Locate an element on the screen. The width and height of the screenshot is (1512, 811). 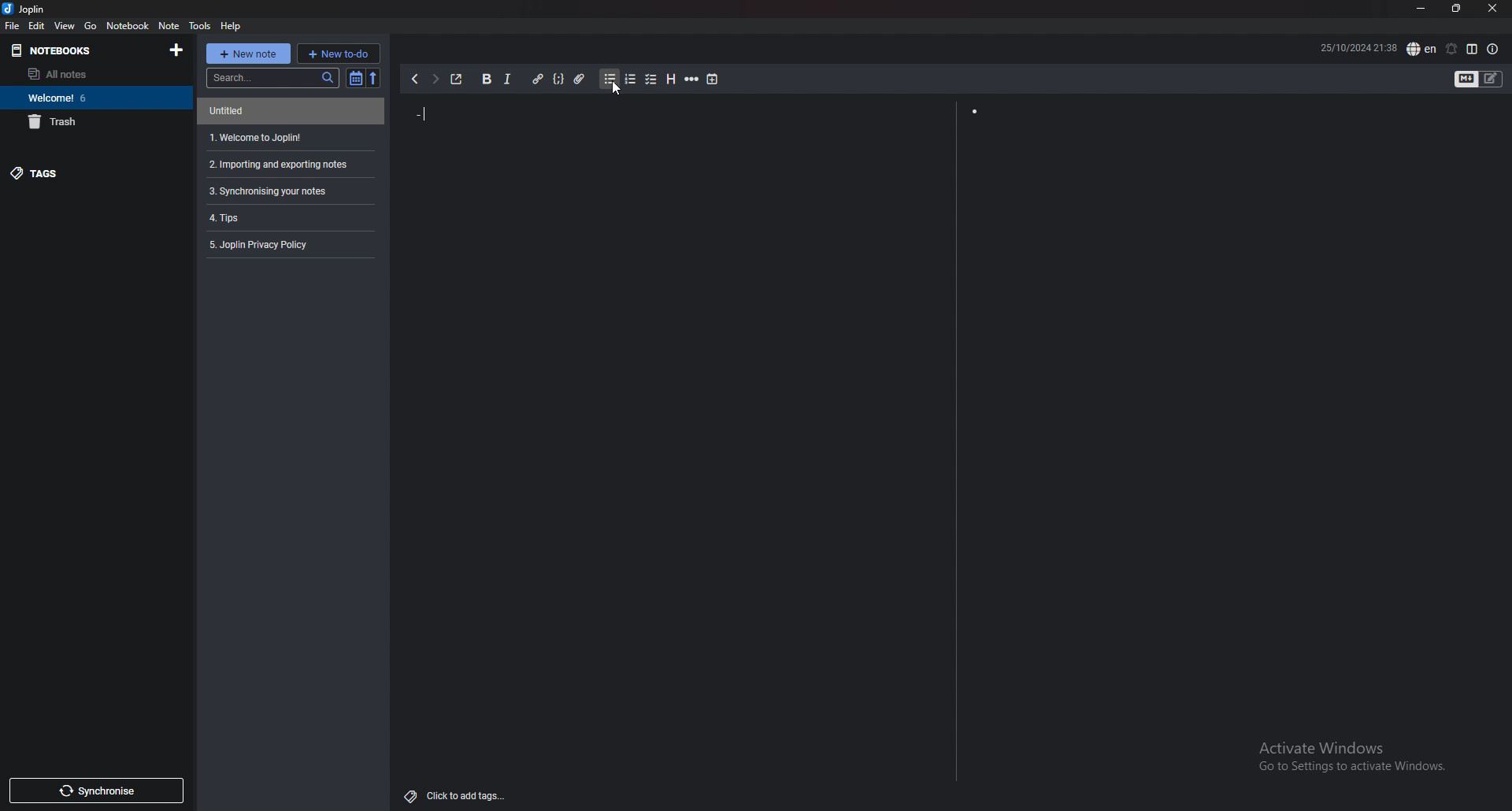
insert time is located at coordinates (715, 81).